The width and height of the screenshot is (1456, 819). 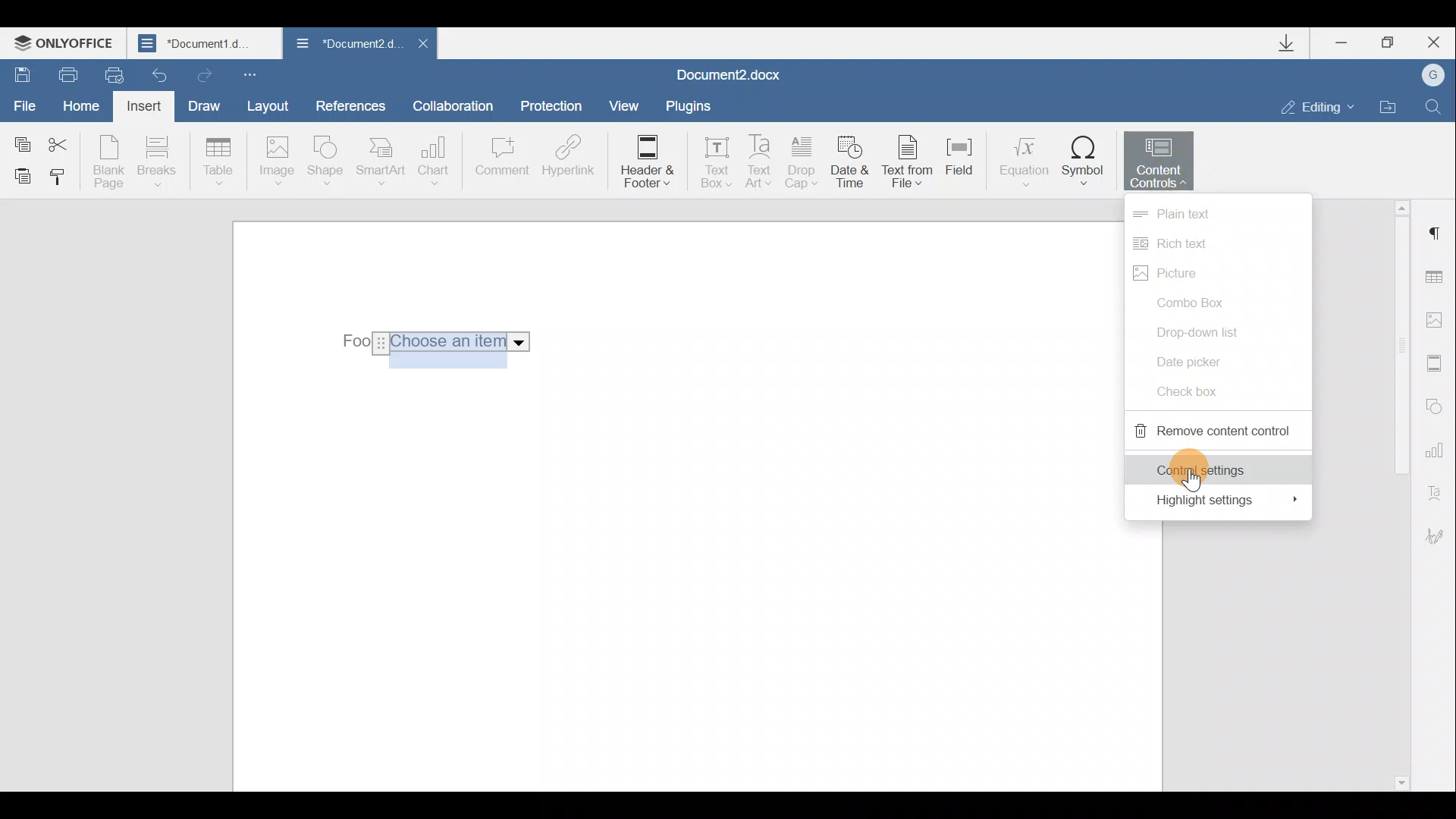 I want to click on Close, so click(x=1432, y=42).